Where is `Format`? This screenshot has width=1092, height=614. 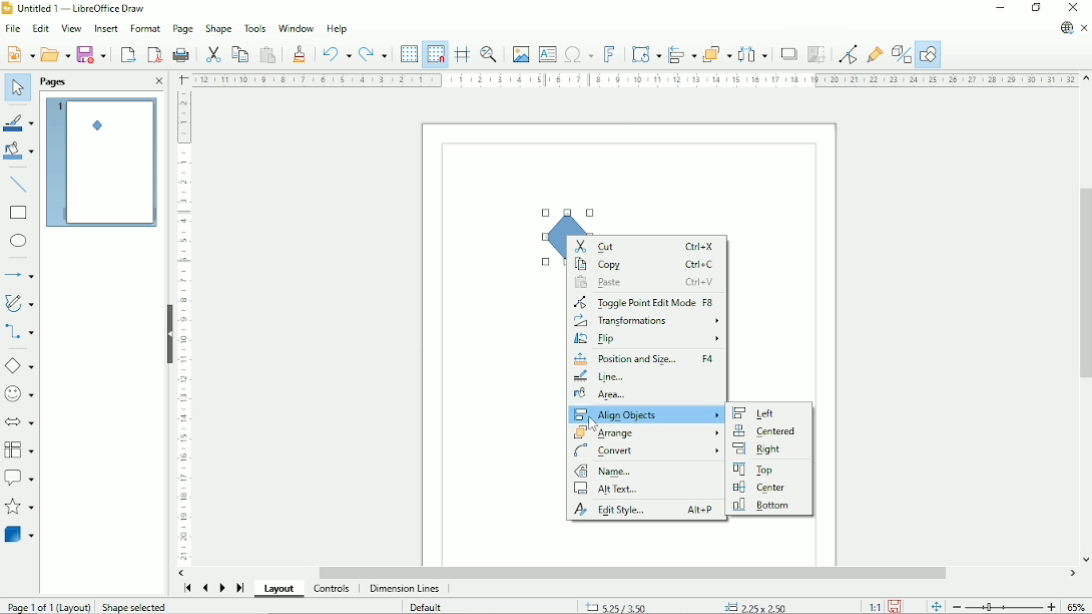 Format is located at coordinates (145, 29).